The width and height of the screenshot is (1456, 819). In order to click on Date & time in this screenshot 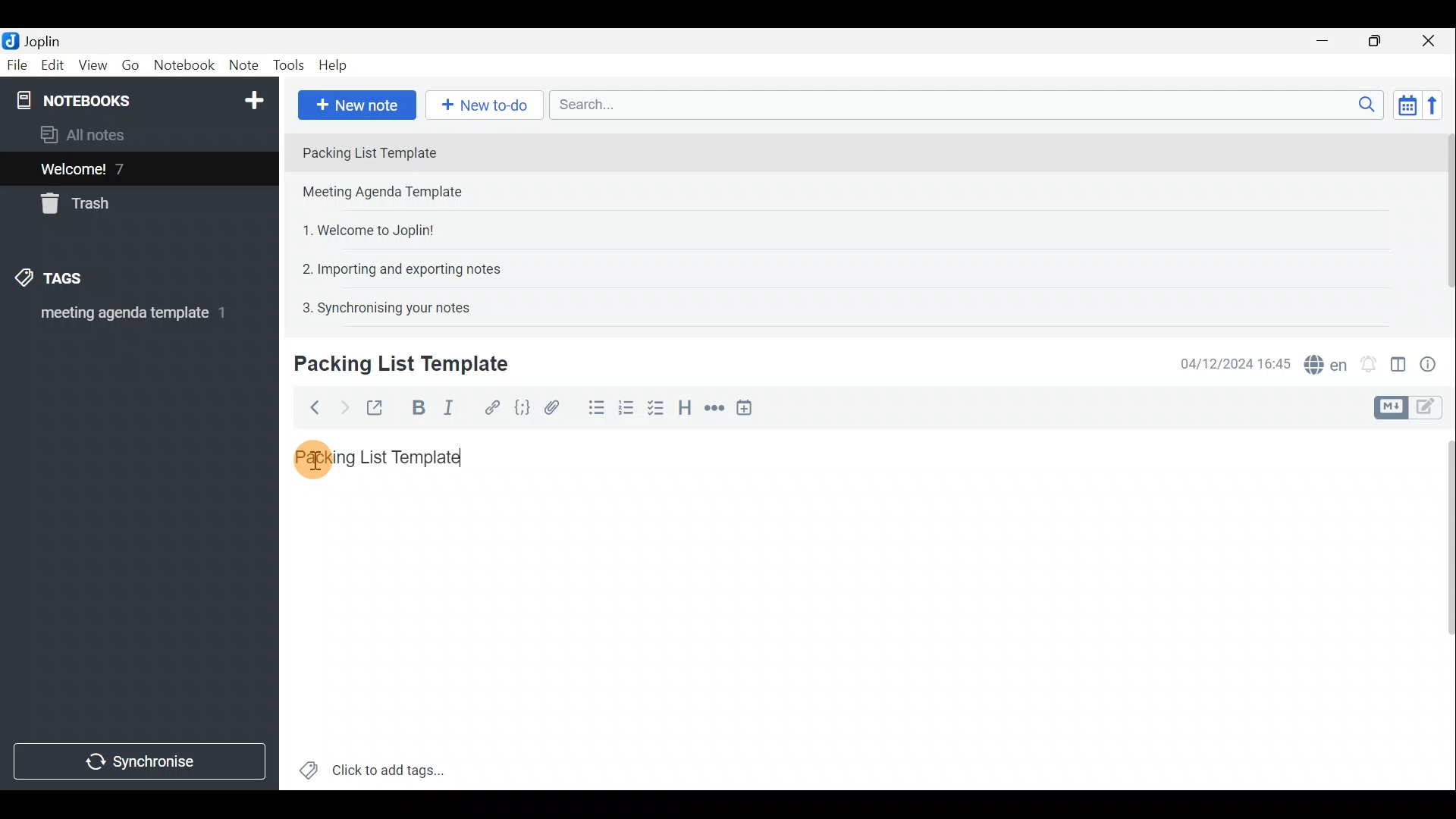, I will do `click(1235, 362)`.